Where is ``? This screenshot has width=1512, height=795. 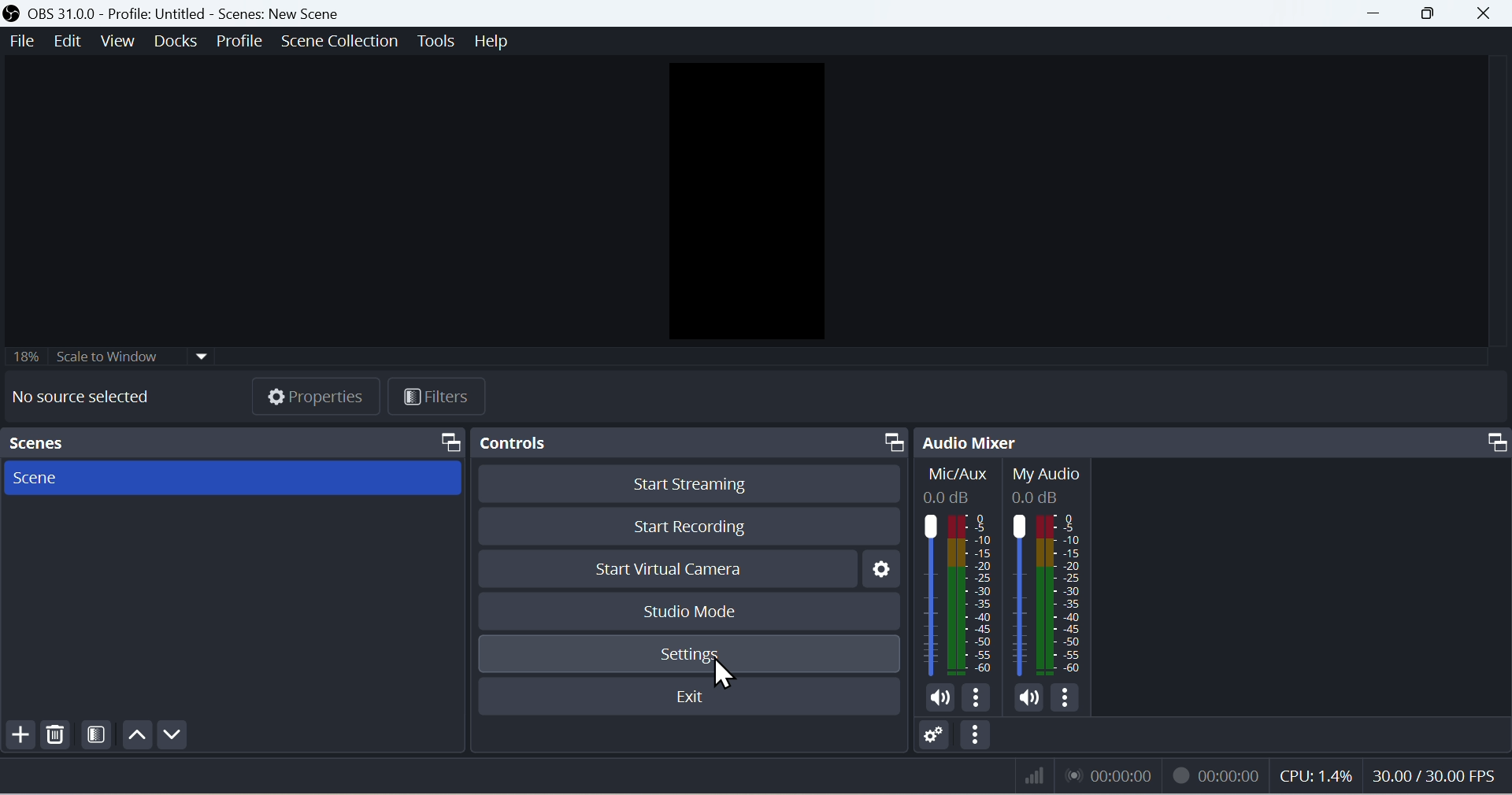  is located at coordinates (930, 735).